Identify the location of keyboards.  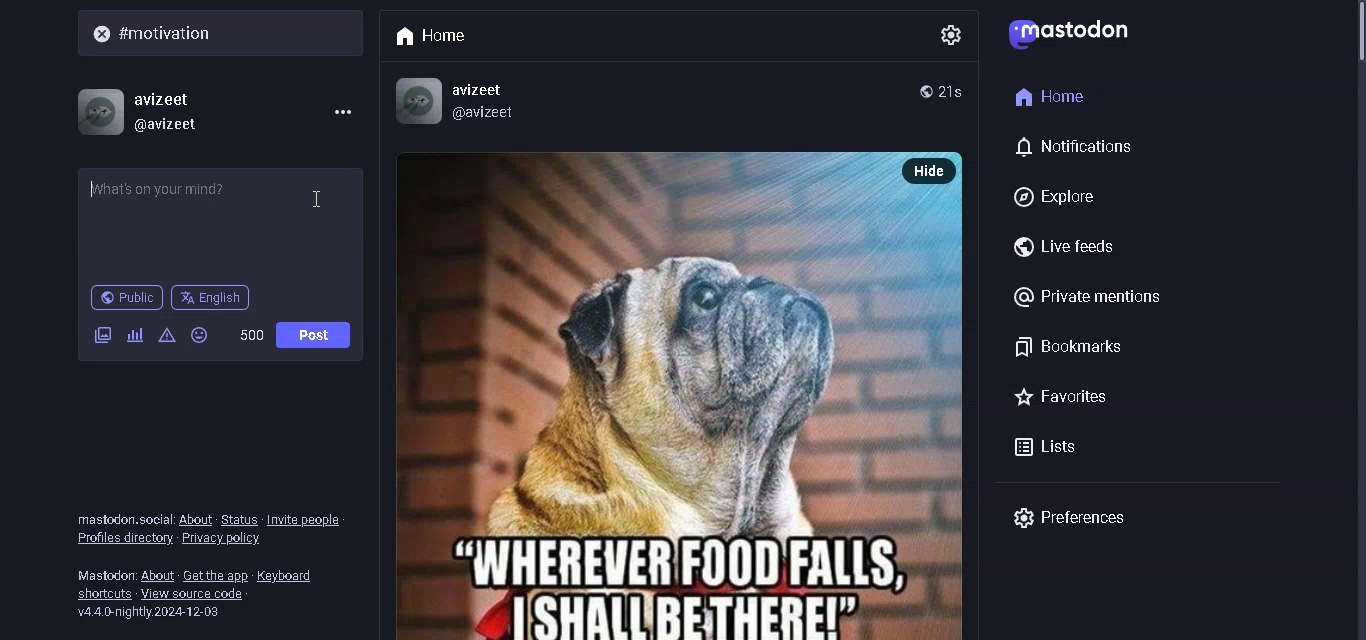
(291, 573).